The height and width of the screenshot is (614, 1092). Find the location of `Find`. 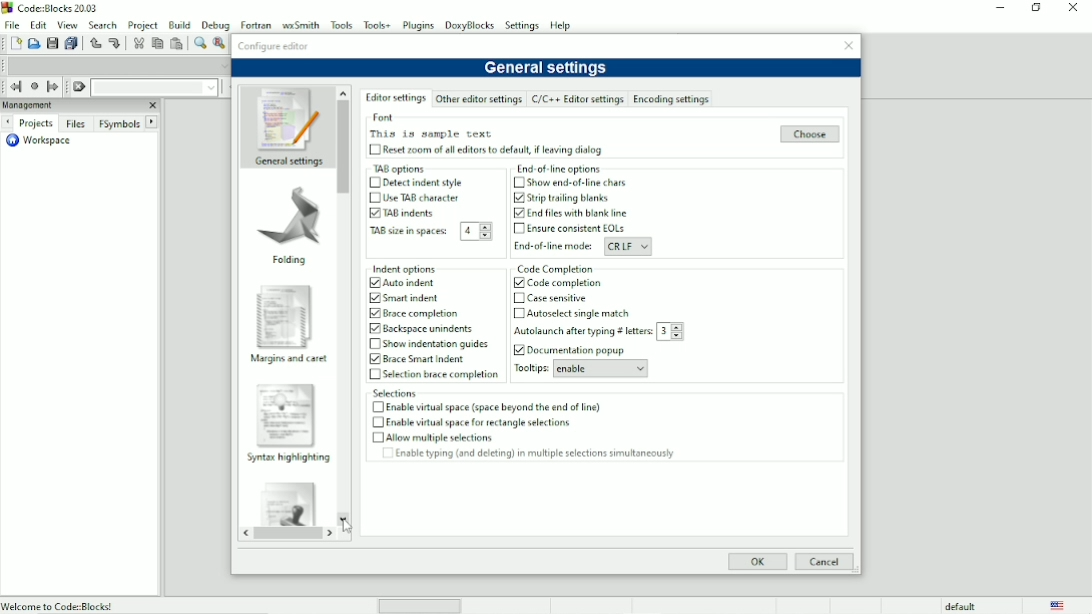

Find is located at coordinates (199, 43).